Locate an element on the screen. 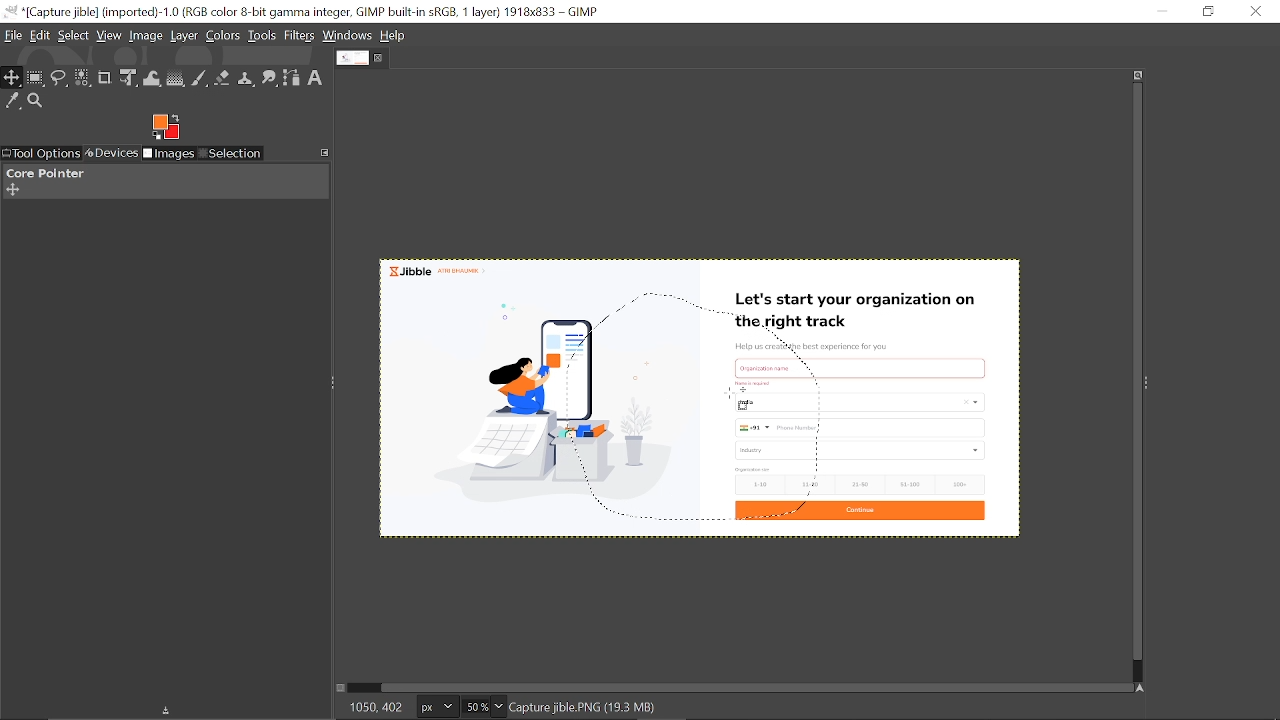  View is located at coordinates (109, 35).